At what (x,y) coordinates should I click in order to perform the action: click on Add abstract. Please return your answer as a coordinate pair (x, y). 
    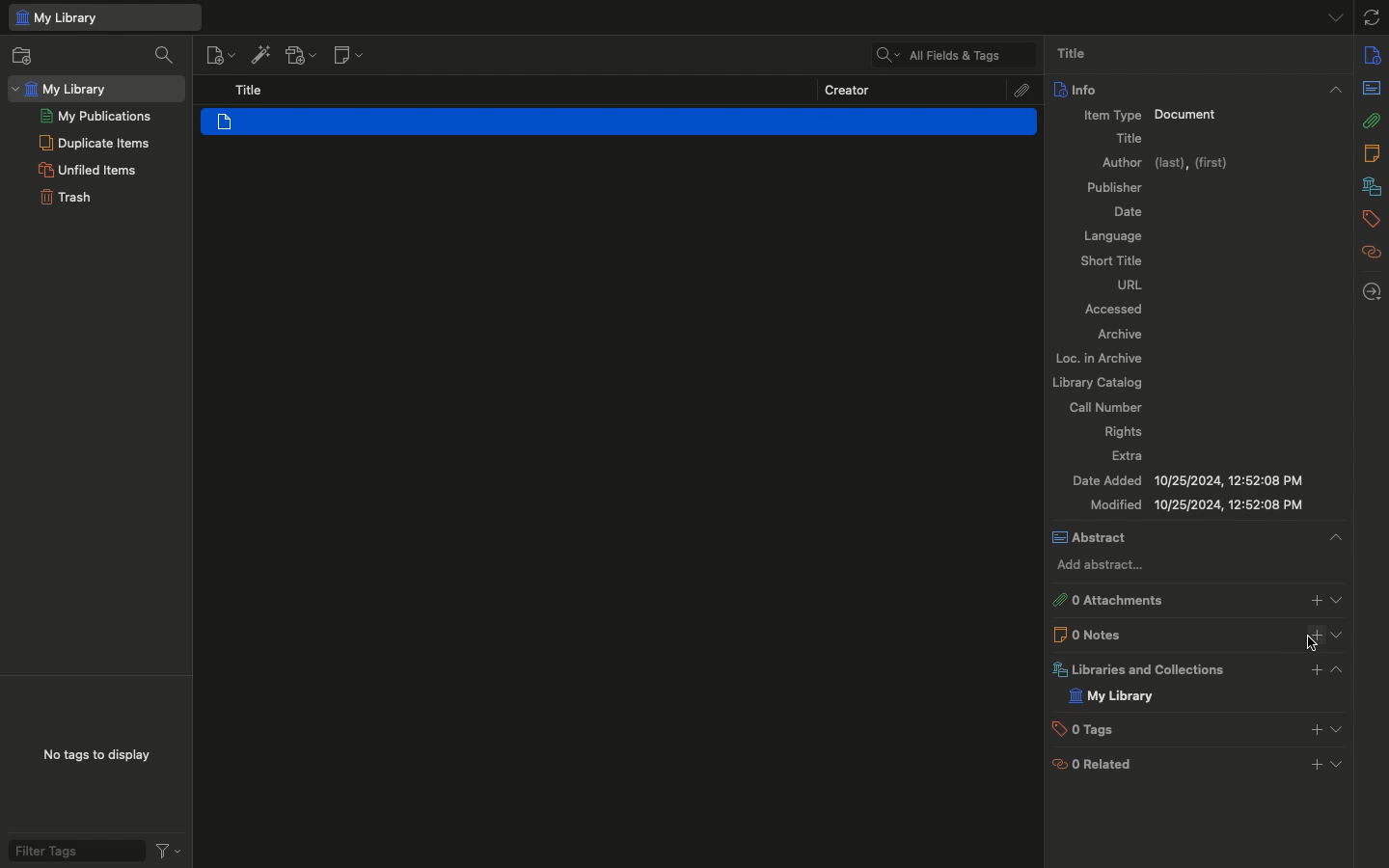
    Looking at the image, I should click on (1100, 567).